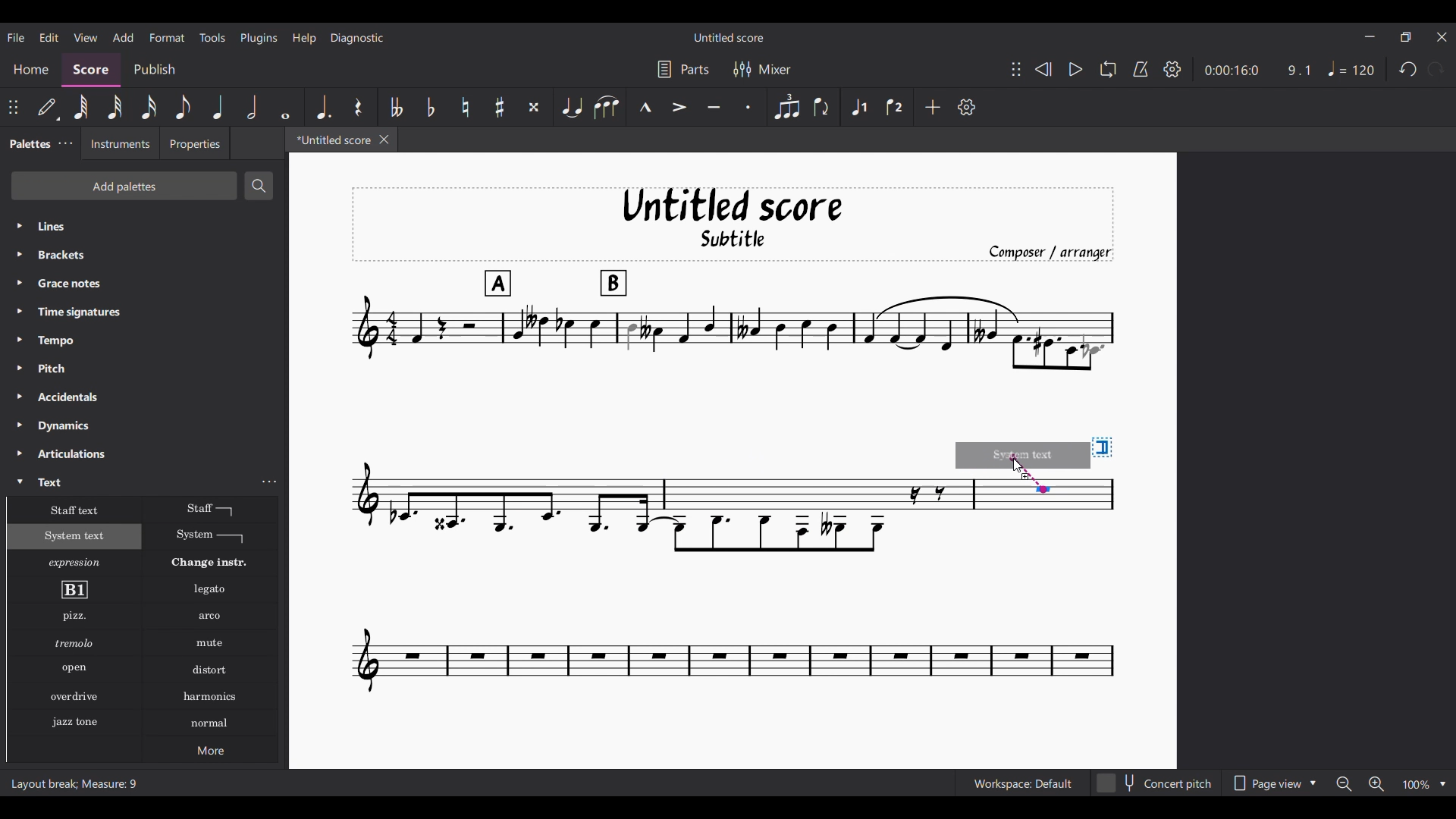 The height and width of the screenshot is (819, 1456). What do you see at coordinates (1425, 783) in the screenshot?
I see `Zoom options` at bounding box center [1425, 783].